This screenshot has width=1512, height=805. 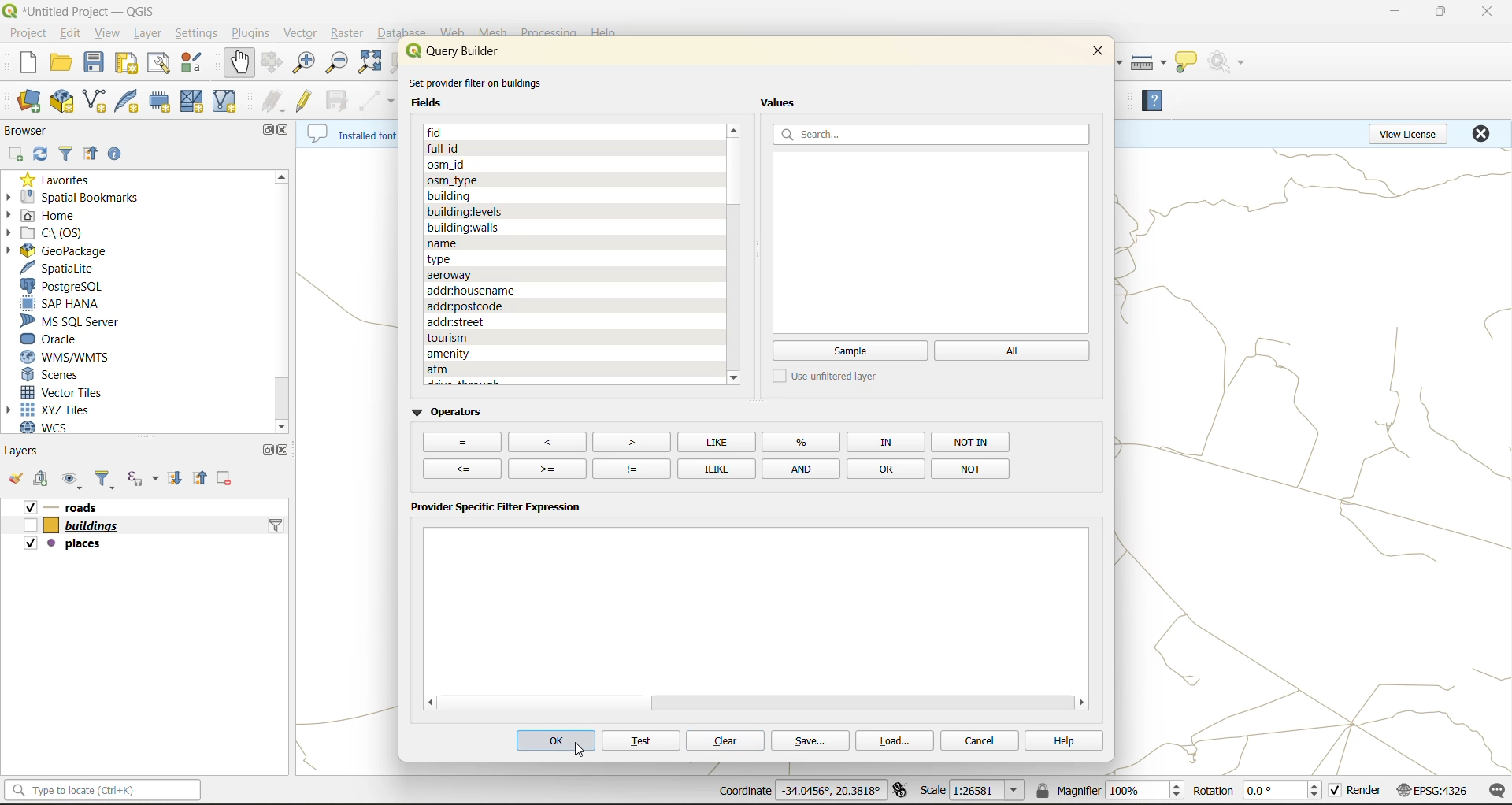 What do you see at coordinates (283, 290) in the screenshot?
I see `scroll bar` at bounding box center [283, 290].